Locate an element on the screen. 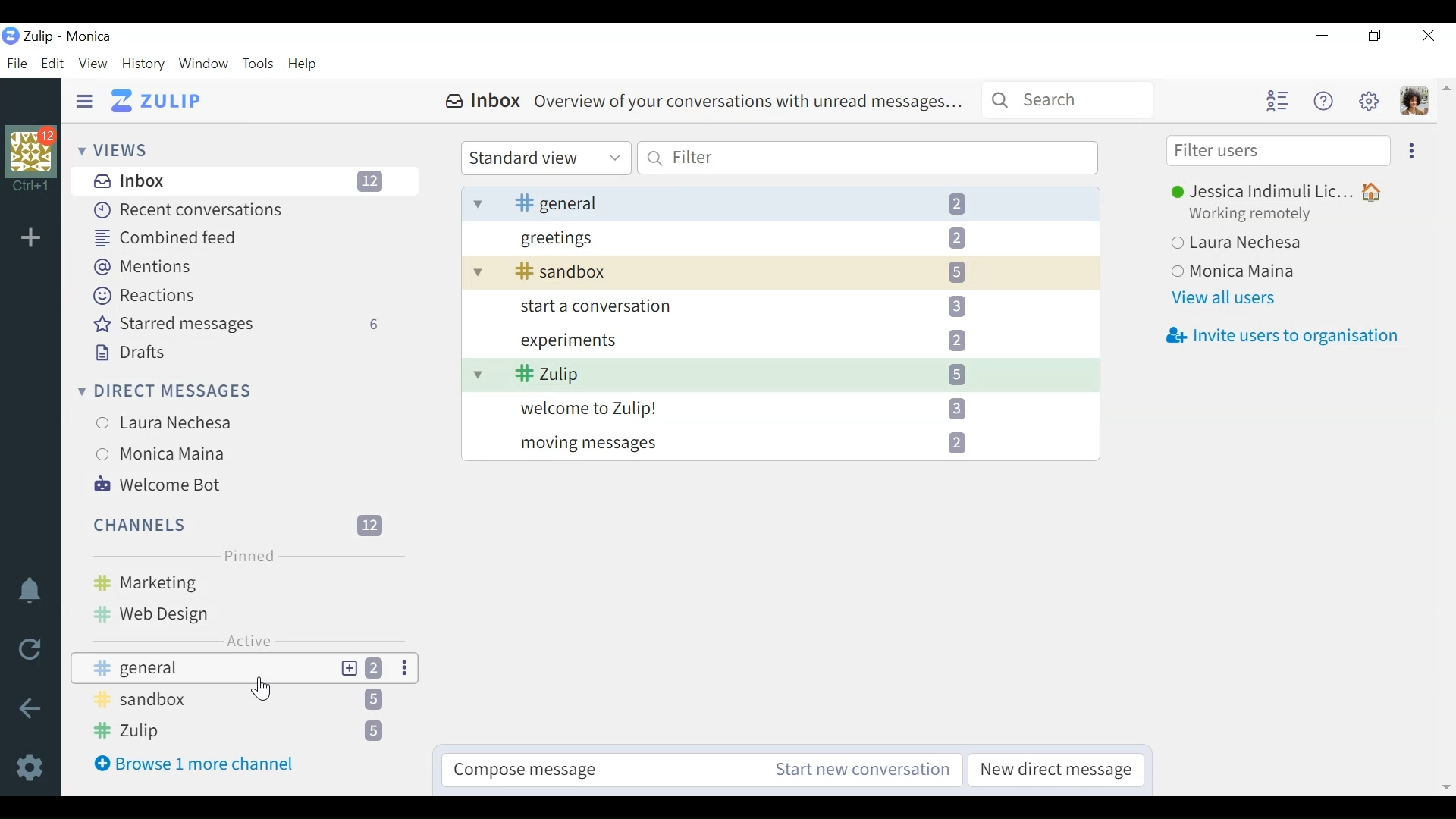  Pinned is located at coordinates (246, 555).